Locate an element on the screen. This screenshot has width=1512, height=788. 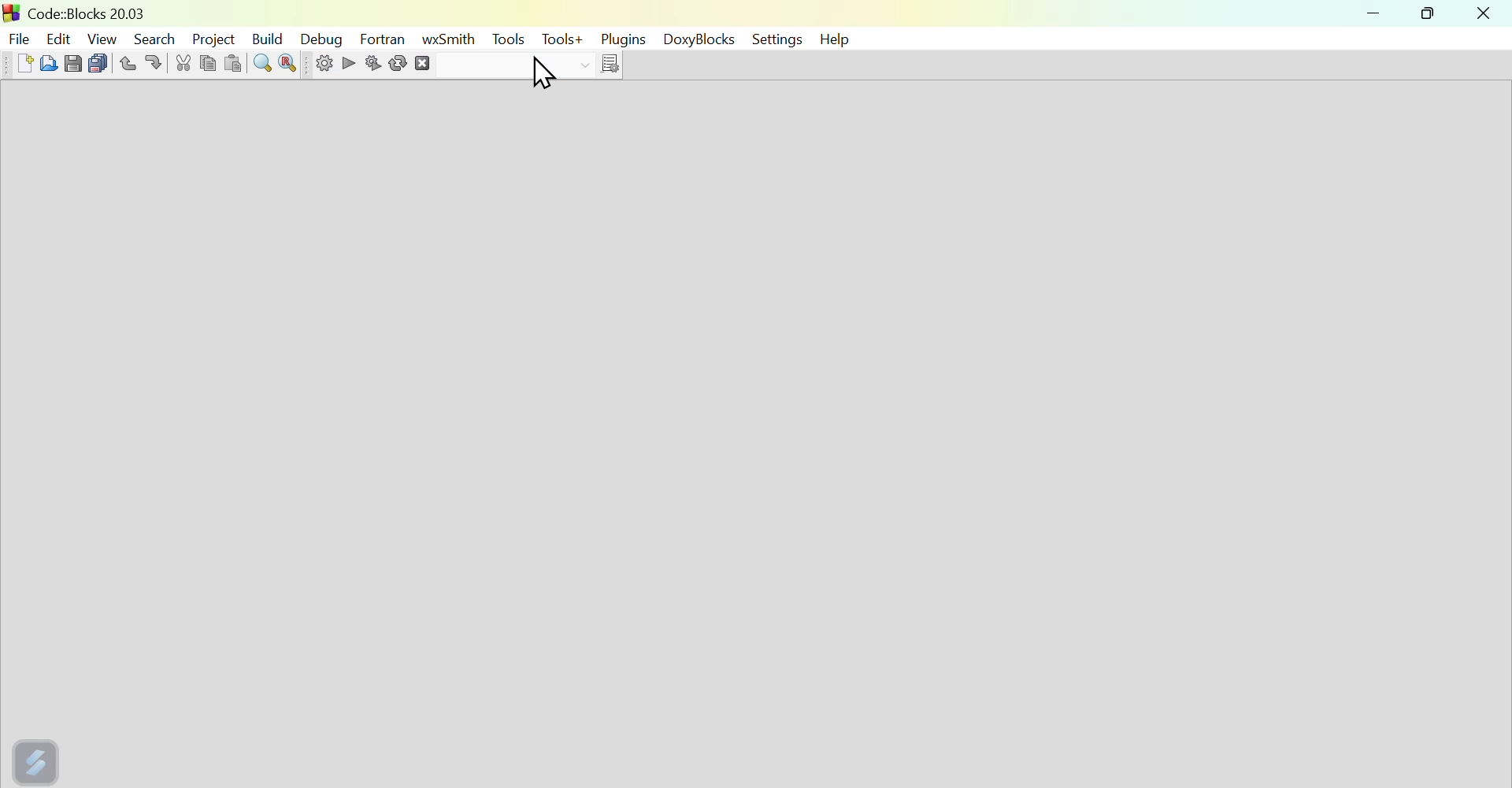
Plugins is located at coordinates (621, 39).